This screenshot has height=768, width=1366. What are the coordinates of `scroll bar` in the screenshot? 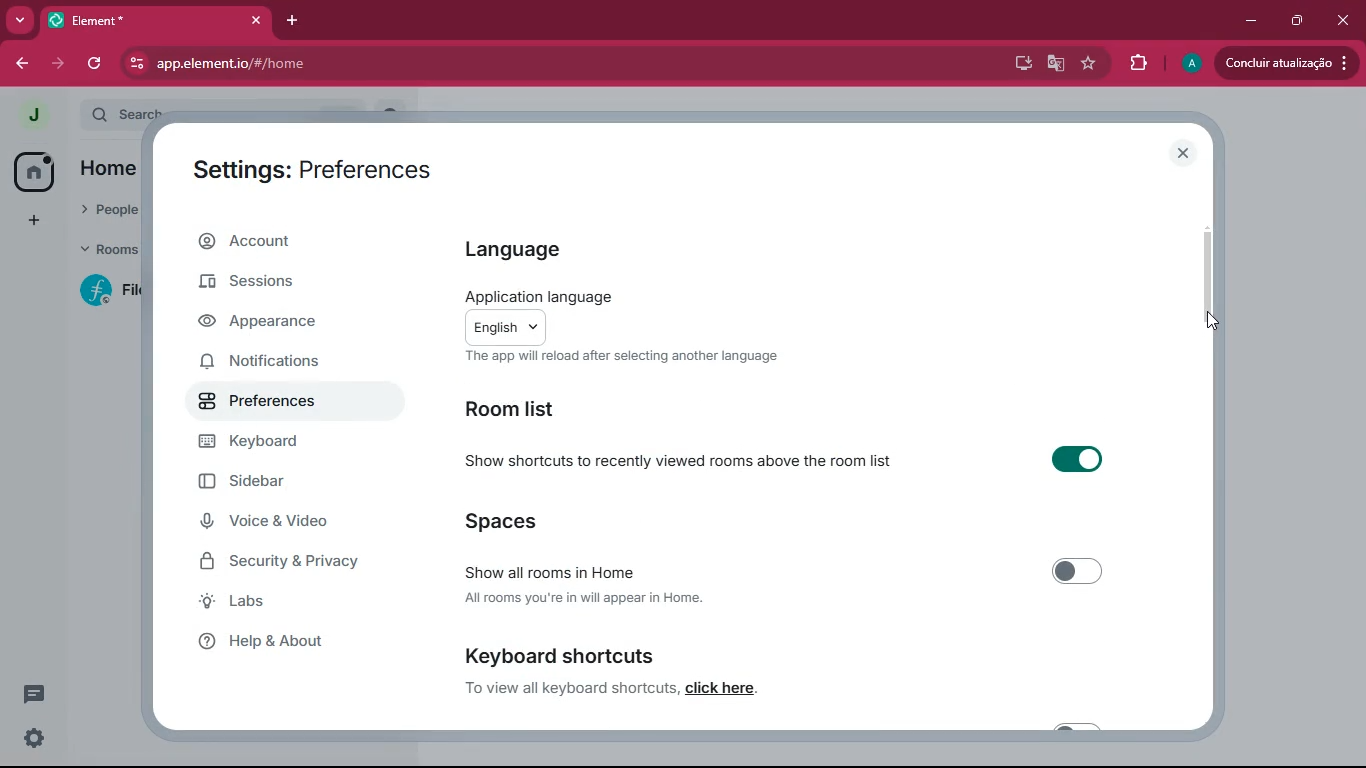 It's located at (1213, 285).